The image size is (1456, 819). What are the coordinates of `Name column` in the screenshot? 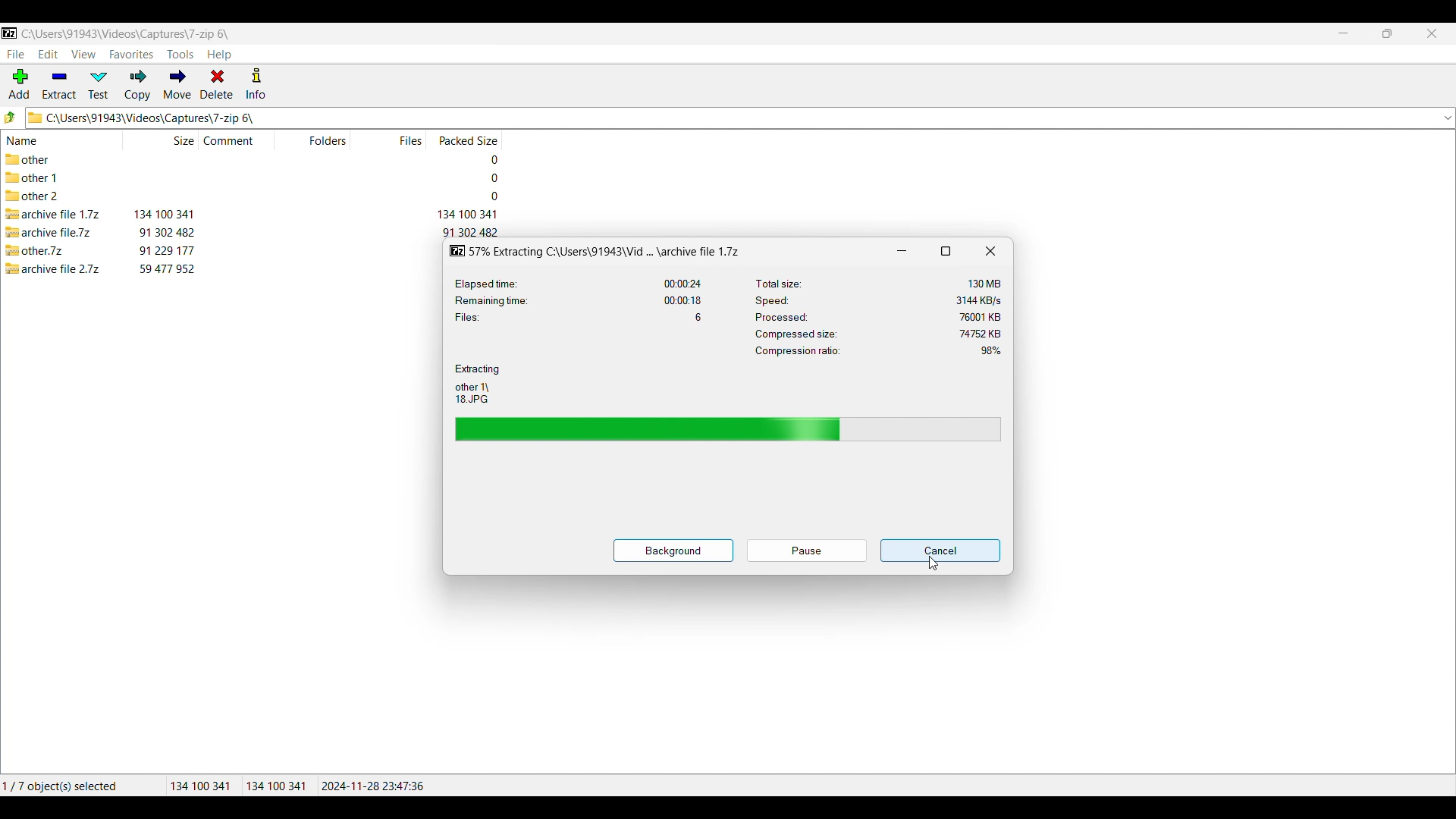 It's located at (48, 141).